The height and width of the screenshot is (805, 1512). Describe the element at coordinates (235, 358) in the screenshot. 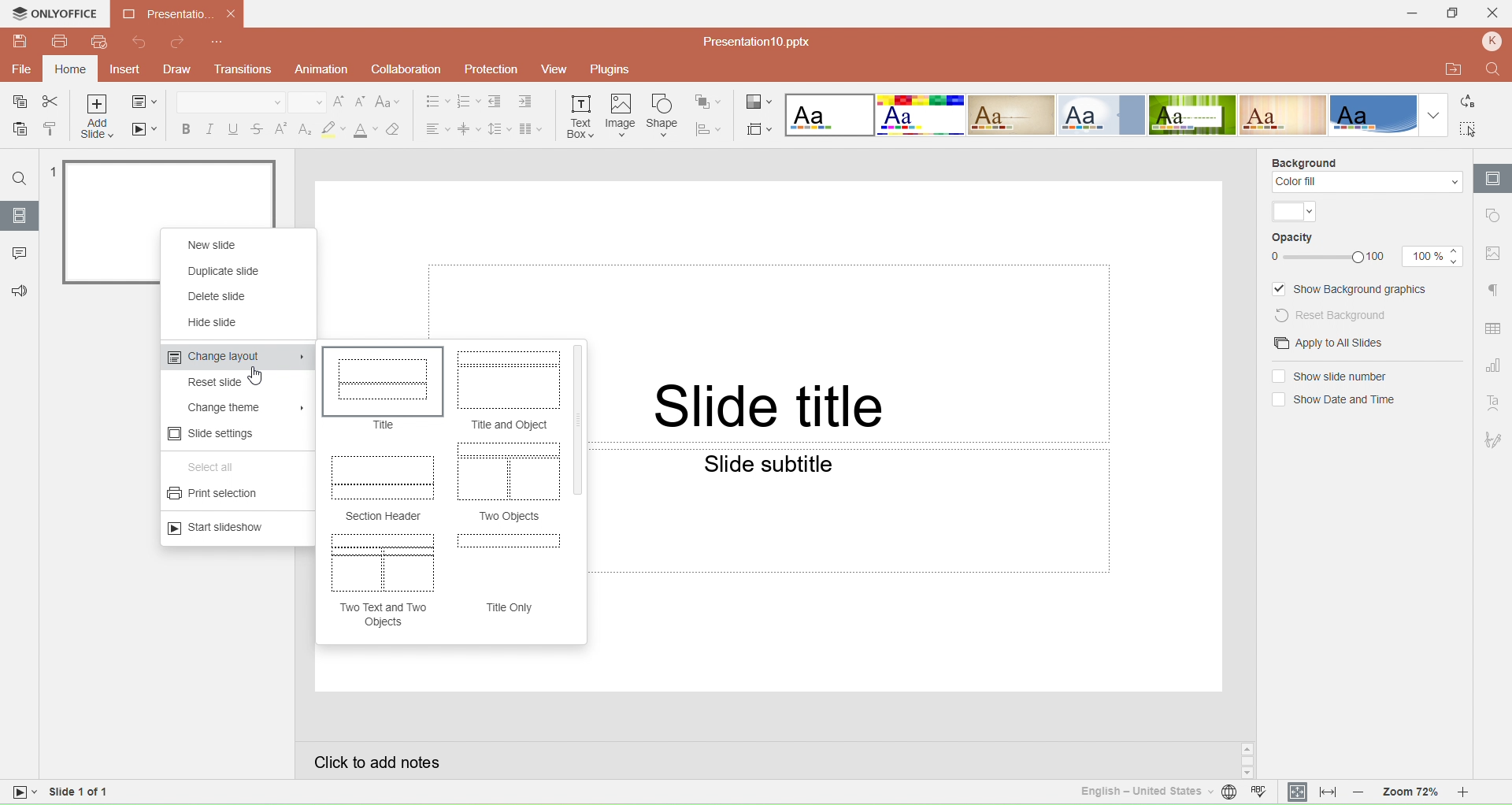

I see `Change layout` at that location.